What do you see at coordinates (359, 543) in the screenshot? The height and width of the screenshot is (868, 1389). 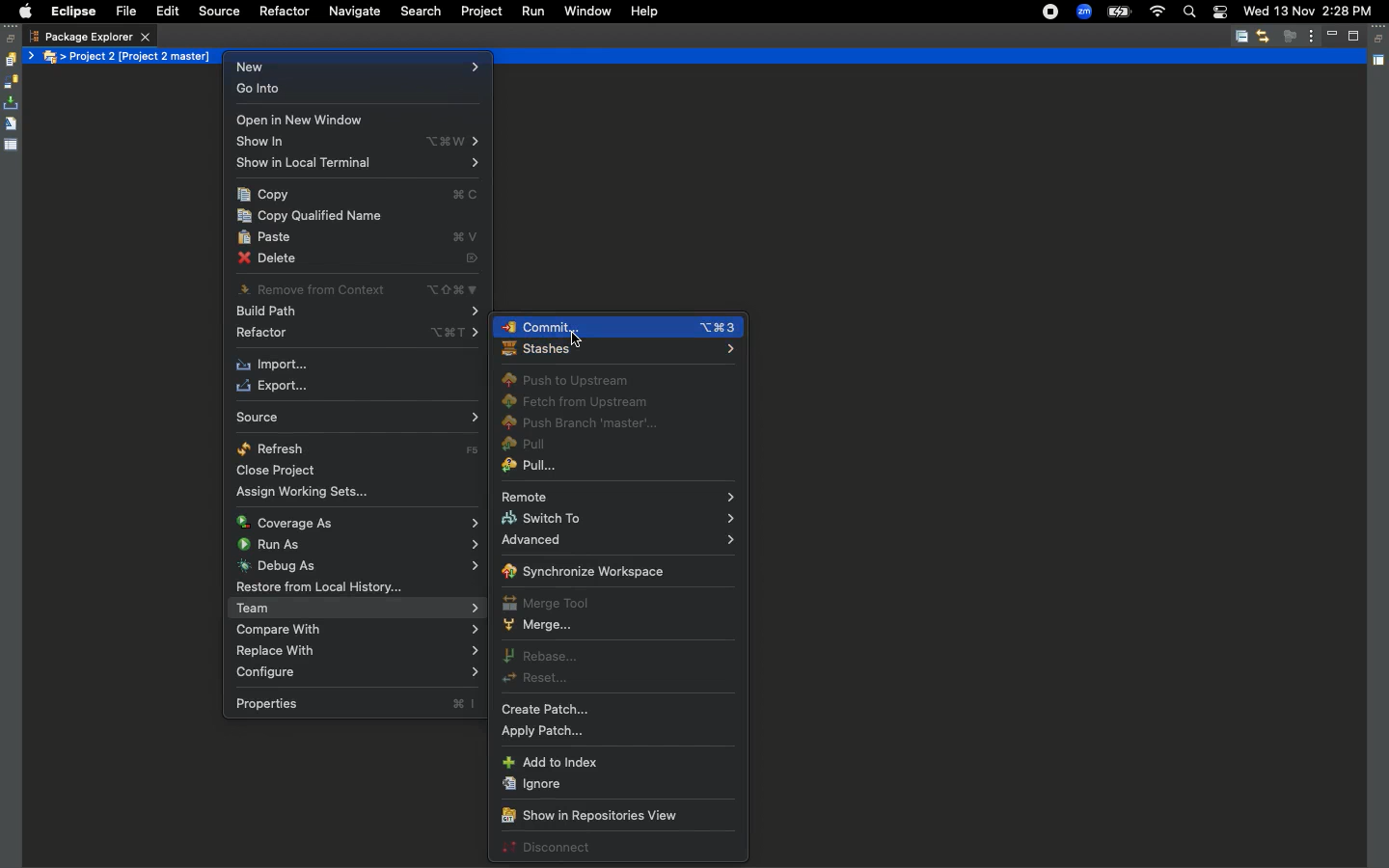 I see `Run as` at bounding box center [359, 543].